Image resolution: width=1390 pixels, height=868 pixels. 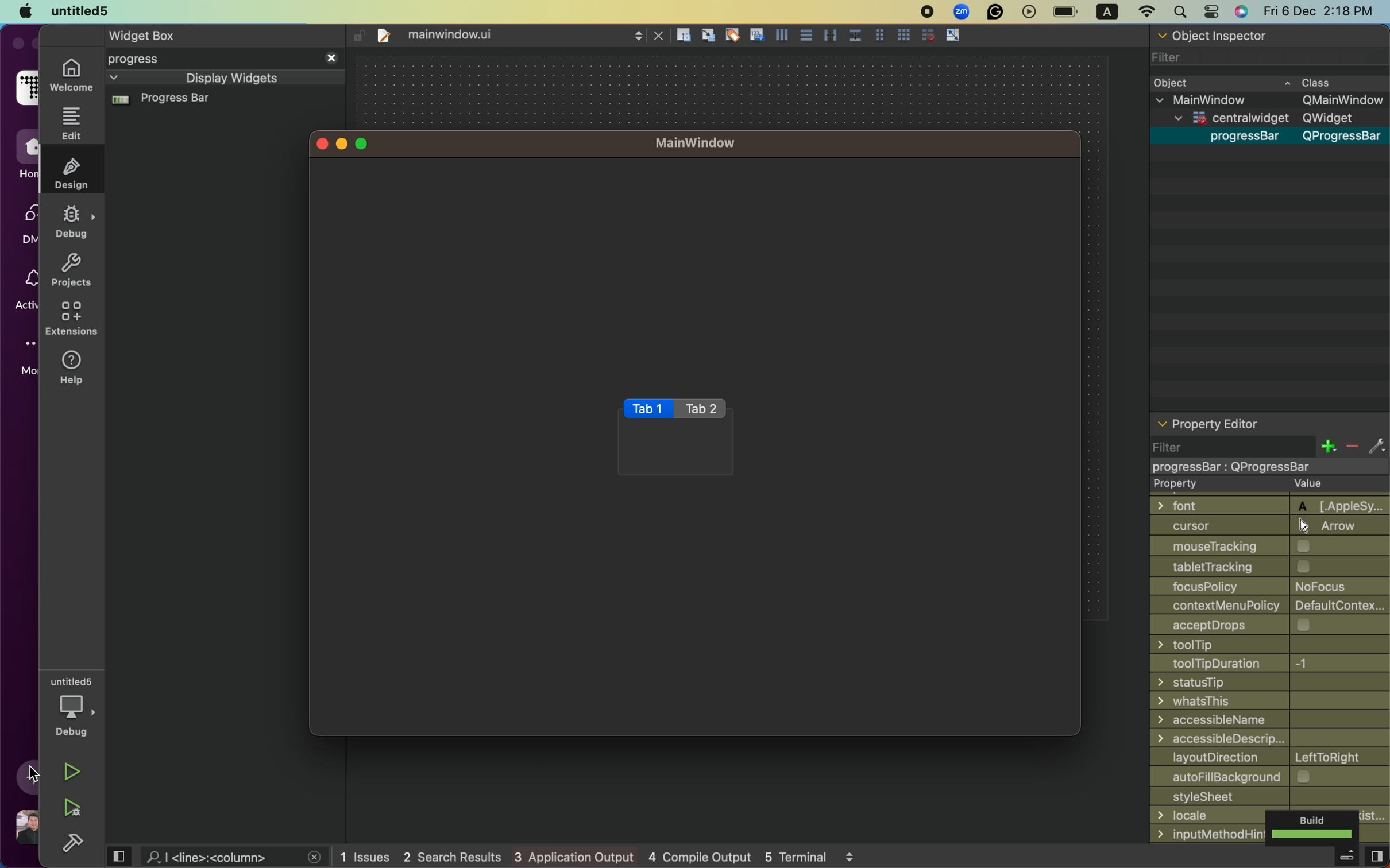 I want to click on file, so click(x=384, y=36).